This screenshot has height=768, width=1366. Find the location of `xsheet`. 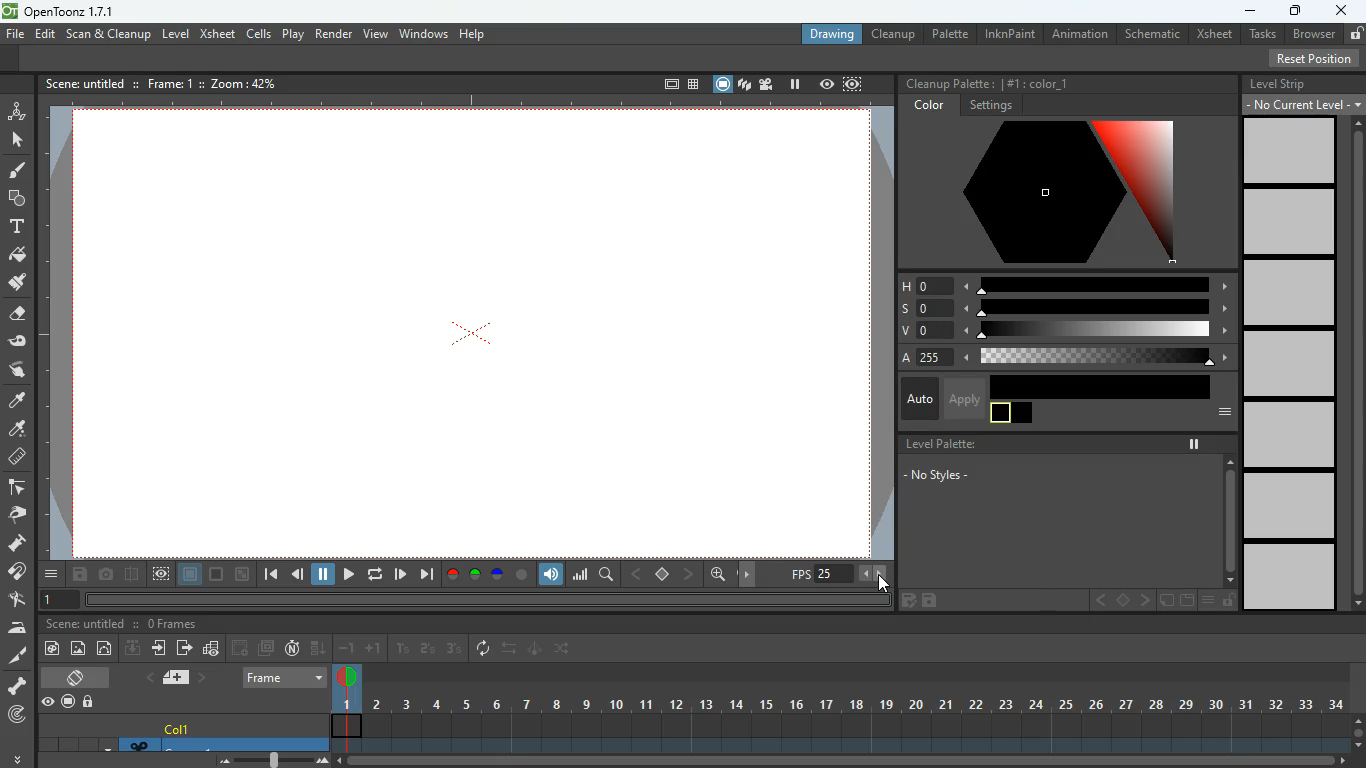

xsheet is located at coordinates (216, 35).